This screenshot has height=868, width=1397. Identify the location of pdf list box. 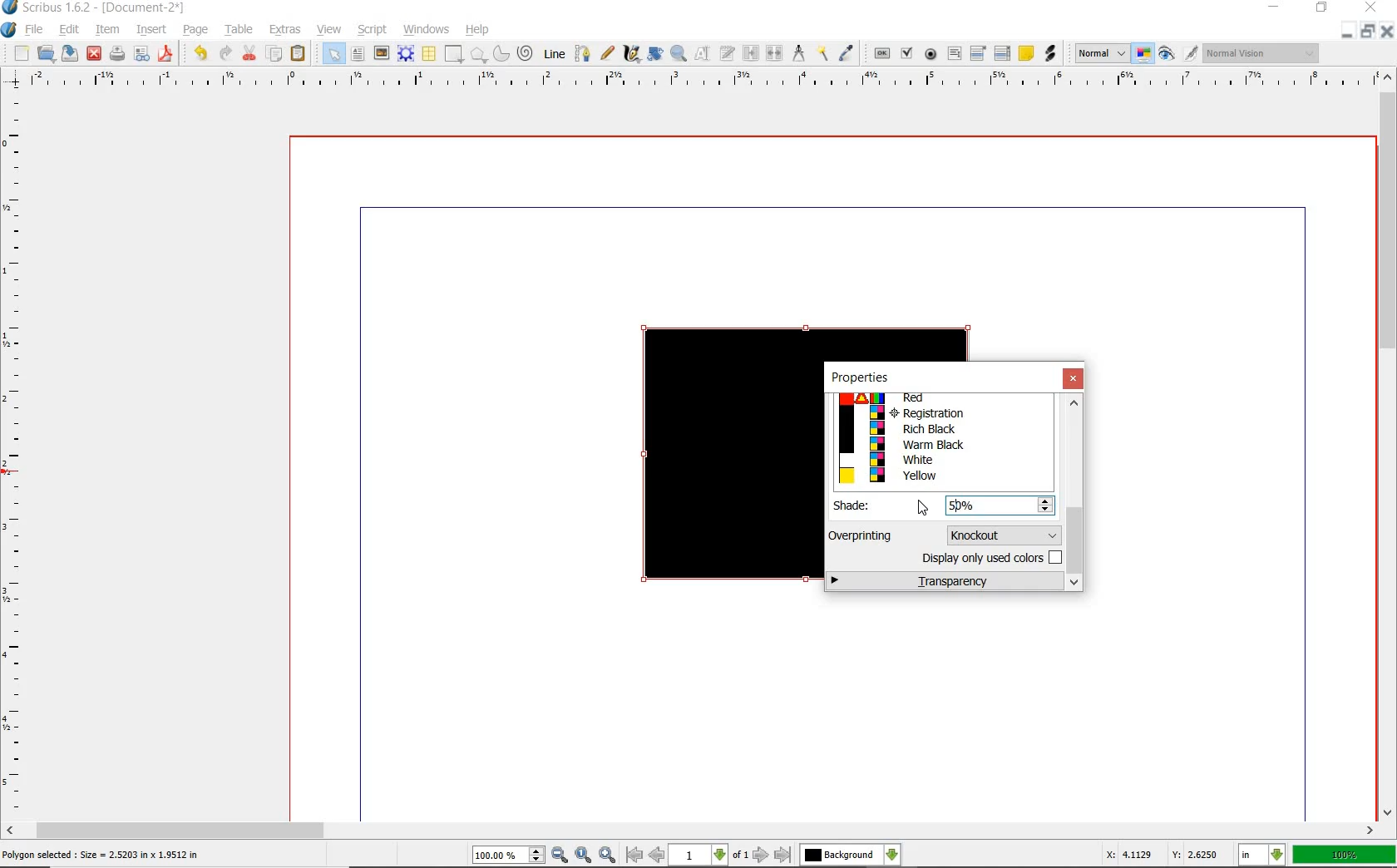
(1003, 52).